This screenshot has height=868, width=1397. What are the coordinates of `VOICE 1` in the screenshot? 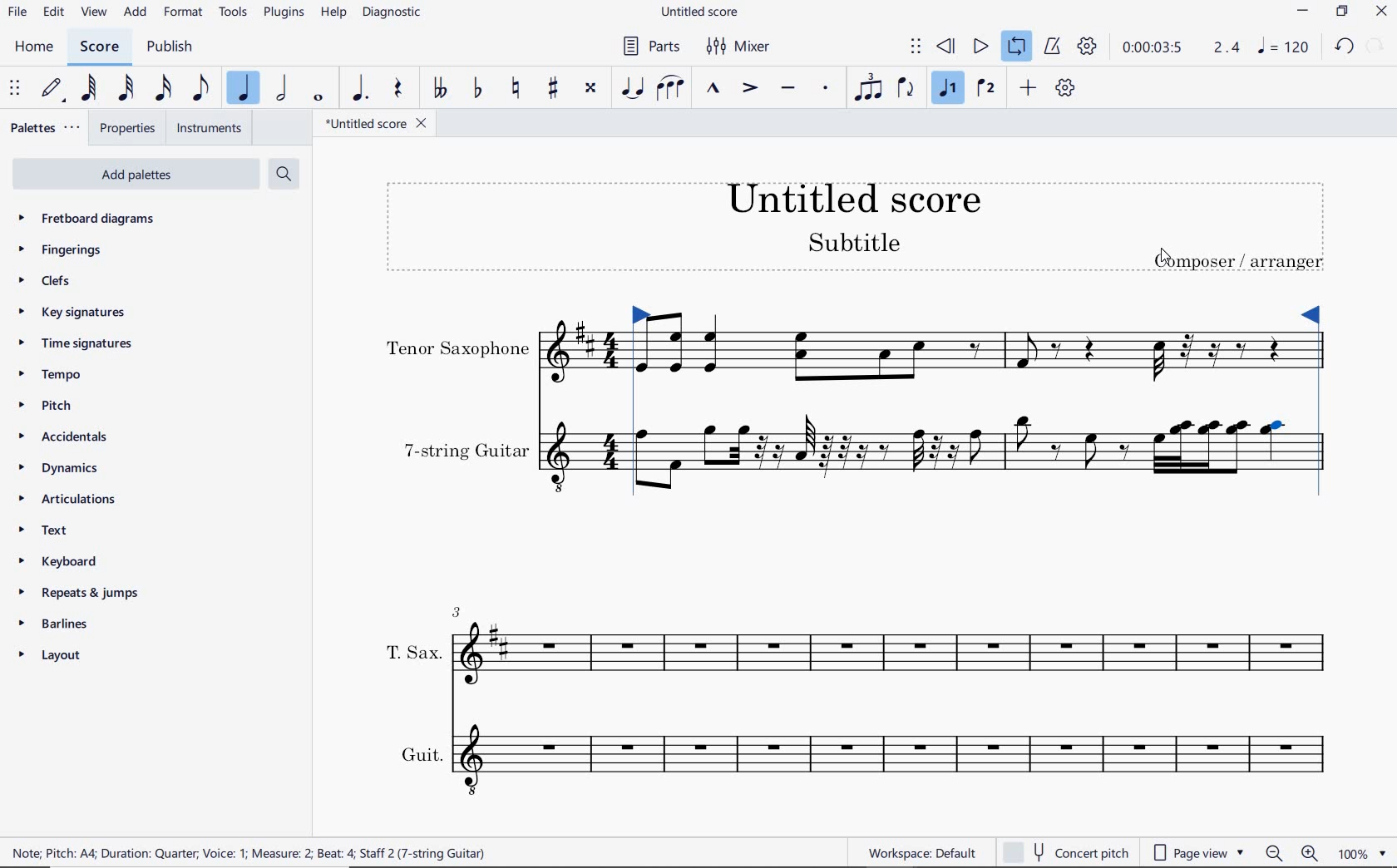 It's located at (949, 89).